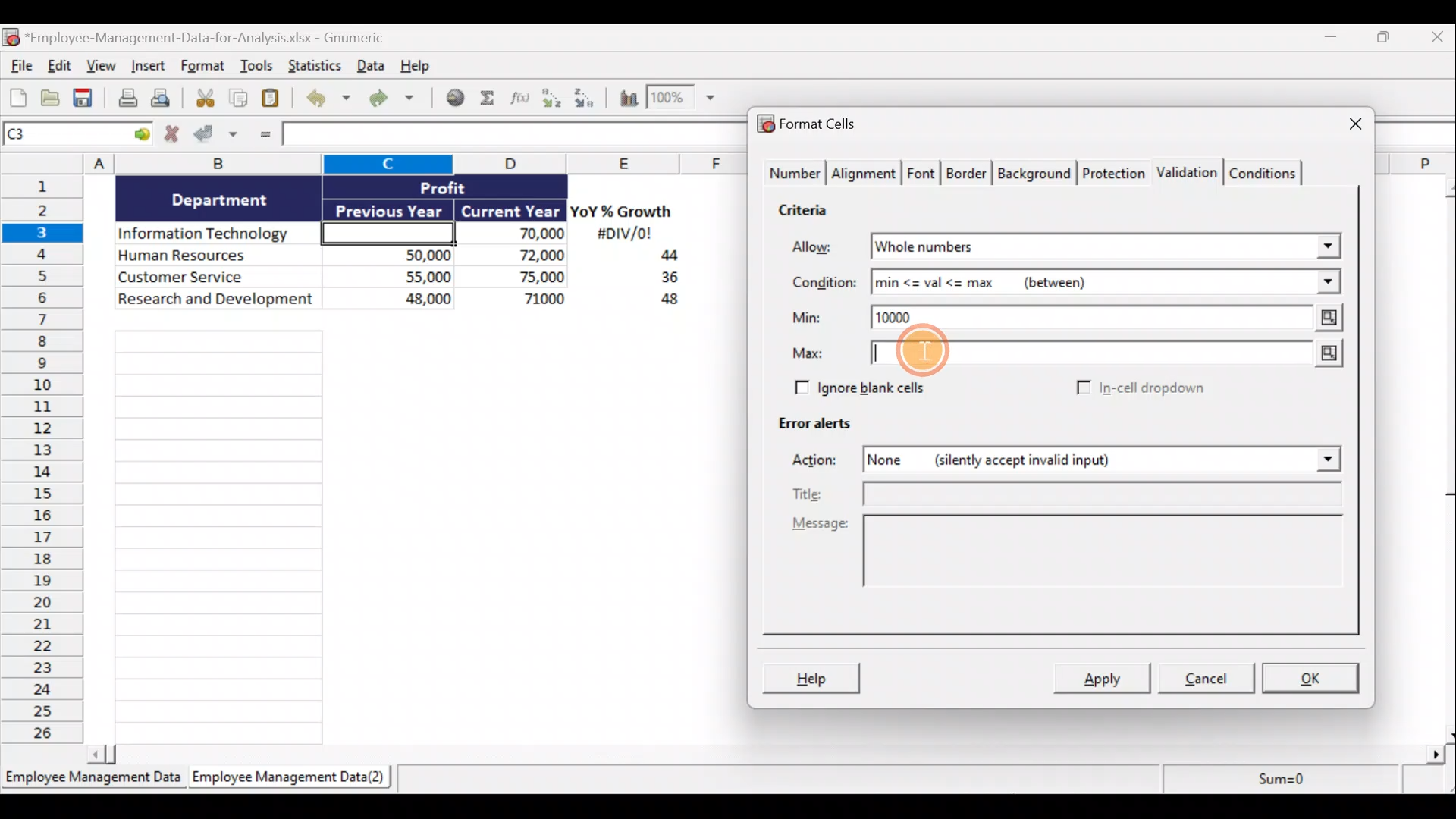  I want to click on Print current file, so click(125, 99).